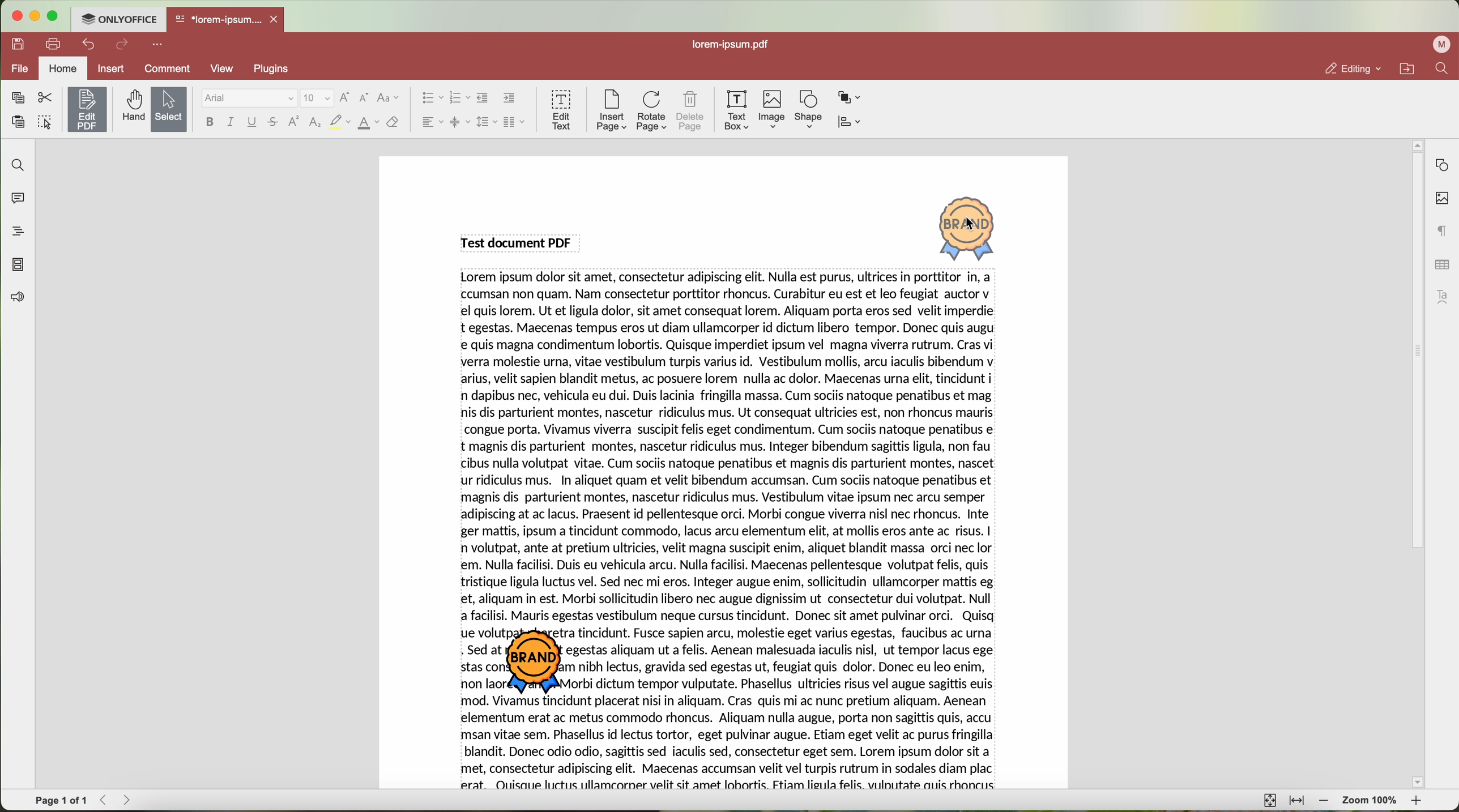  What do you see at coordinates (1441, 68) in the screenshot?
I see `find` at bounding box center [1441, 68].